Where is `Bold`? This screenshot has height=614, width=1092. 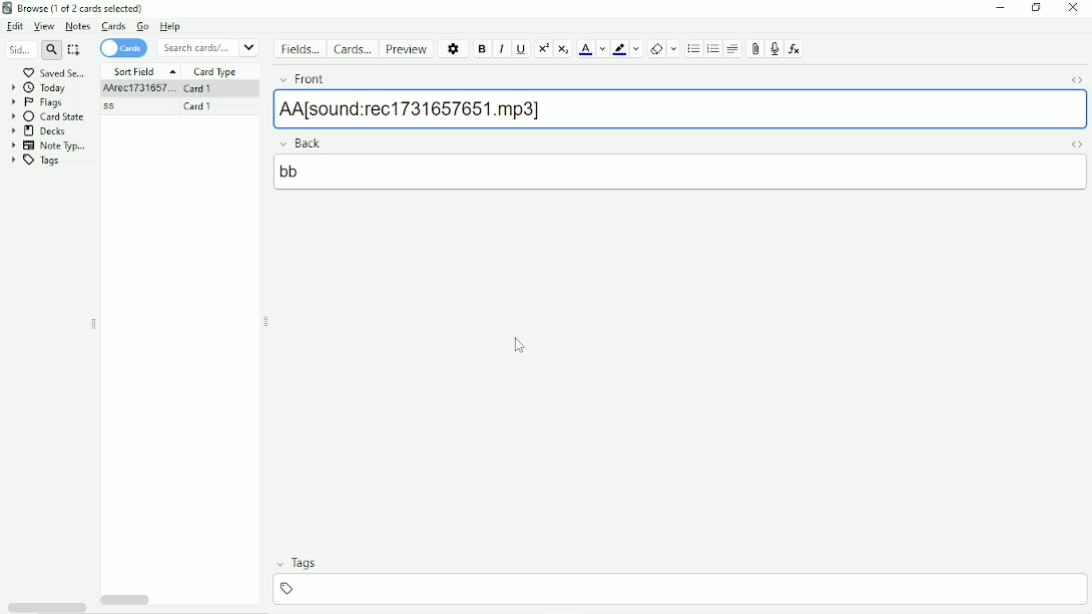
Bold is located at coordinates (482, 49).